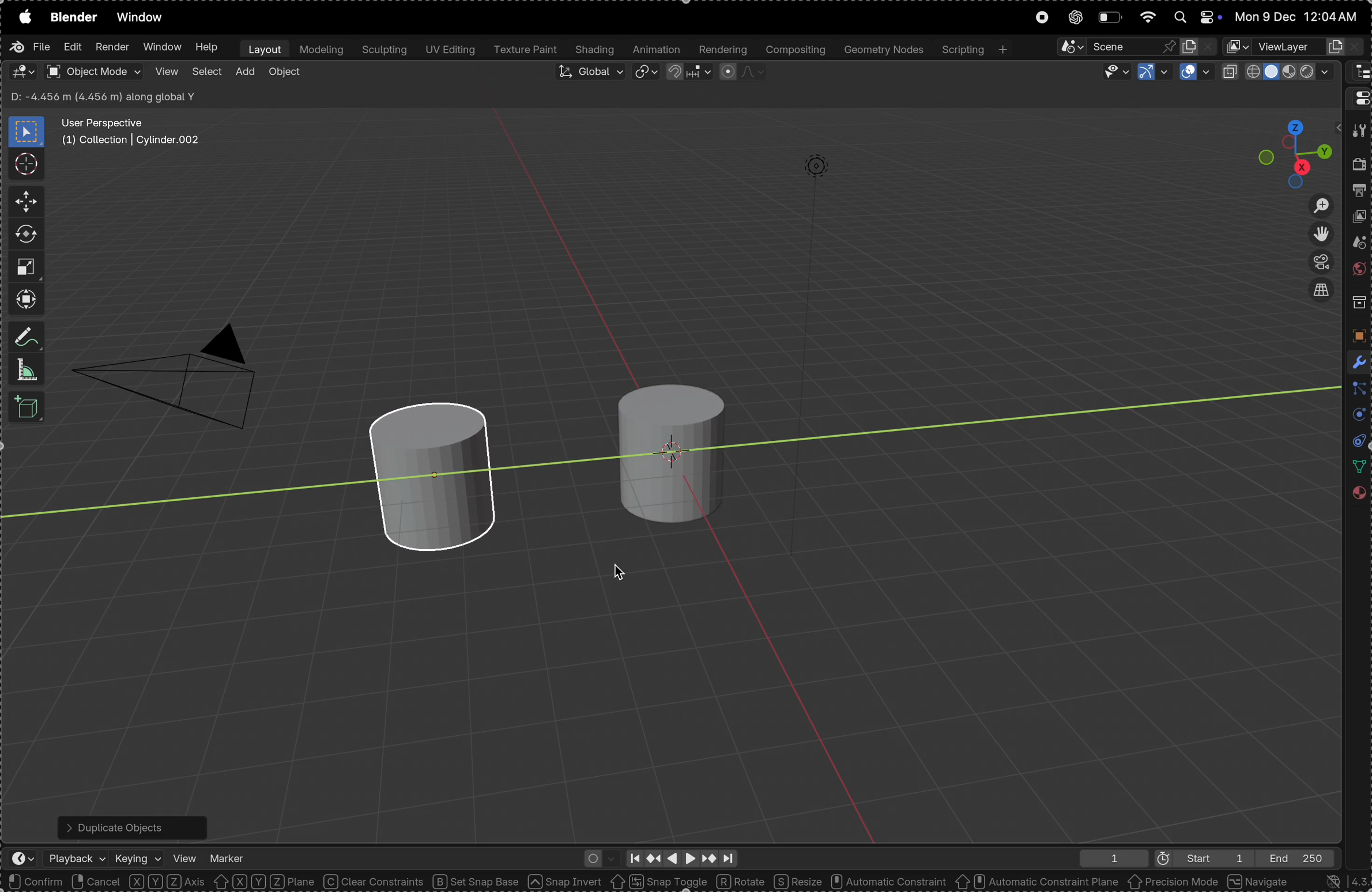  Describe the element at coordinates (1318, 235) in the screenshot. I see `toggle view point` at that location.